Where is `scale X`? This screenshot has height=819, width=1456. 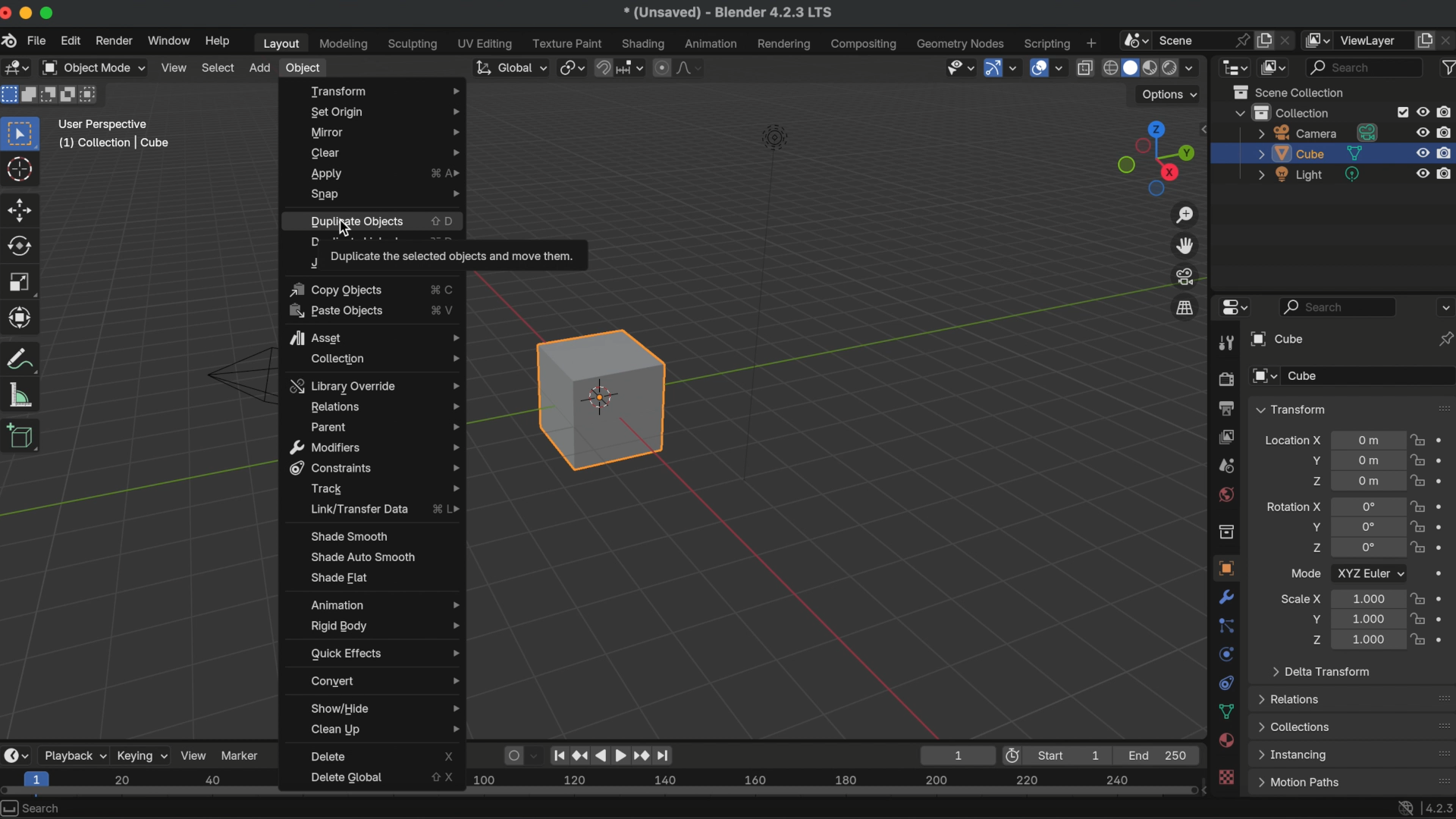
scale X is located at coordinates (1301, 598).